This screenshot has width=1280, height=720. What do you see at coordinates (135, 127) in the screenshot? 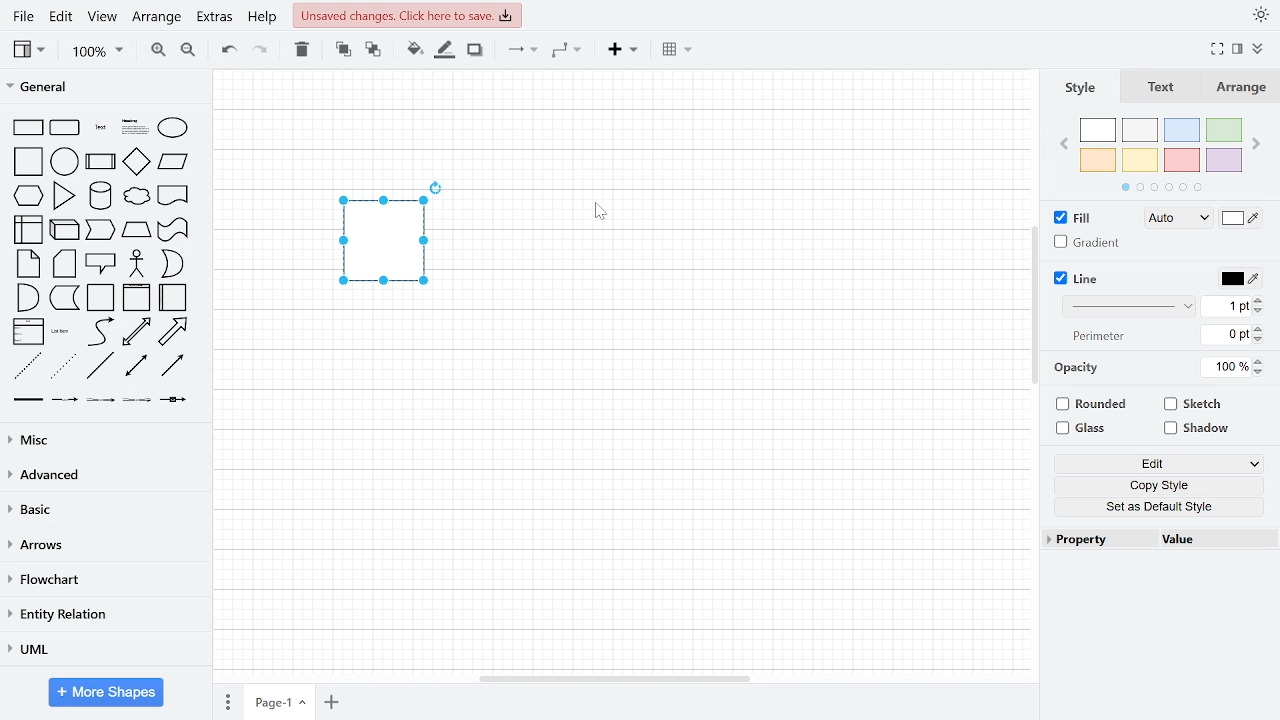
I see `headlines` at bounding box center [135, 127].